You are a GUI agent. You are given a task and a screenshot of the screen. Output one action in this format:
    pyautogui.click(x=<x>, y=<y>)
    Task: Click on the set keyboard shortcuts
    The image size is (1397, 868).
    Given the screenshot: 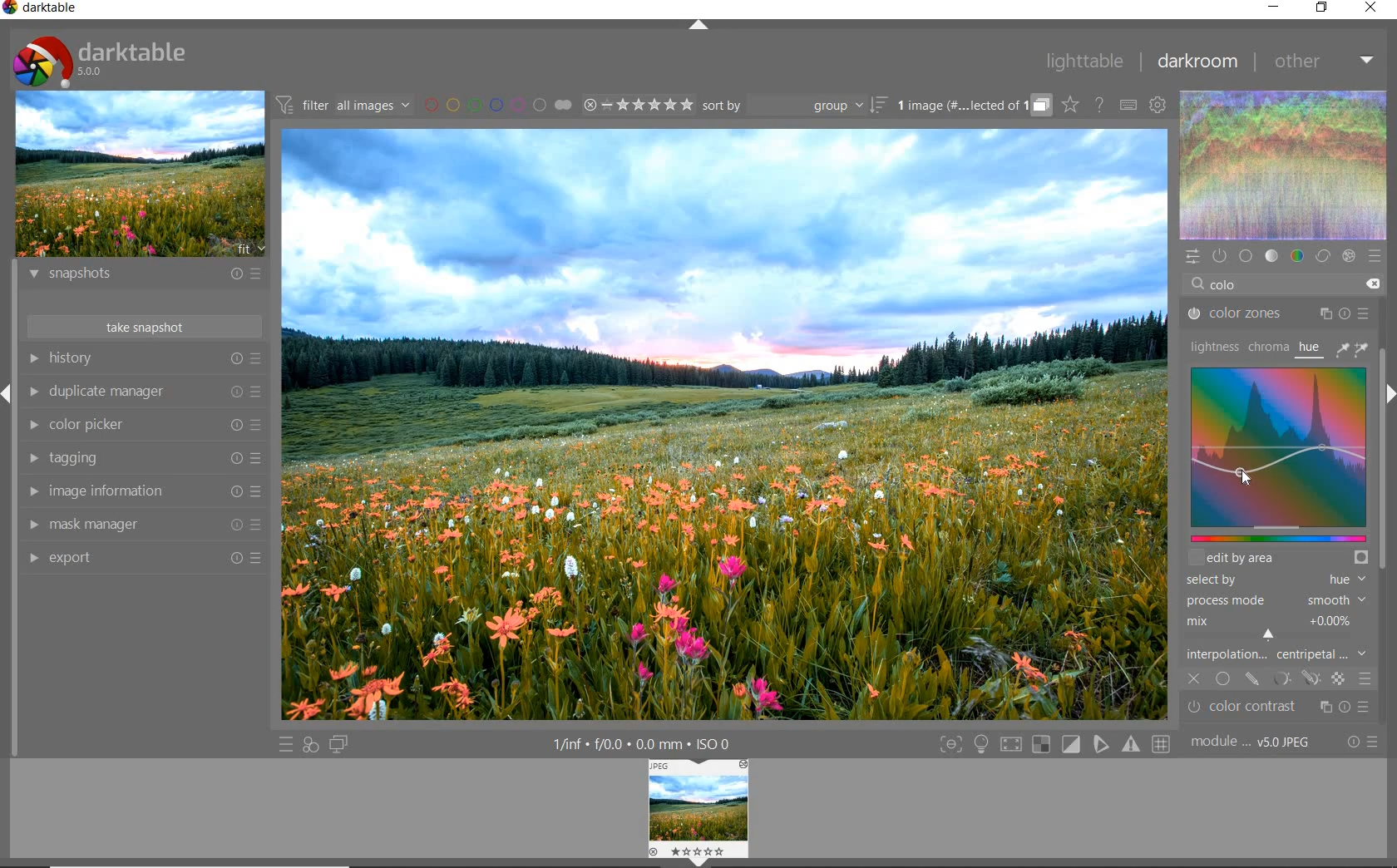 What is the action you would take?
    pyautogui.click(x=1127, y=106)
    